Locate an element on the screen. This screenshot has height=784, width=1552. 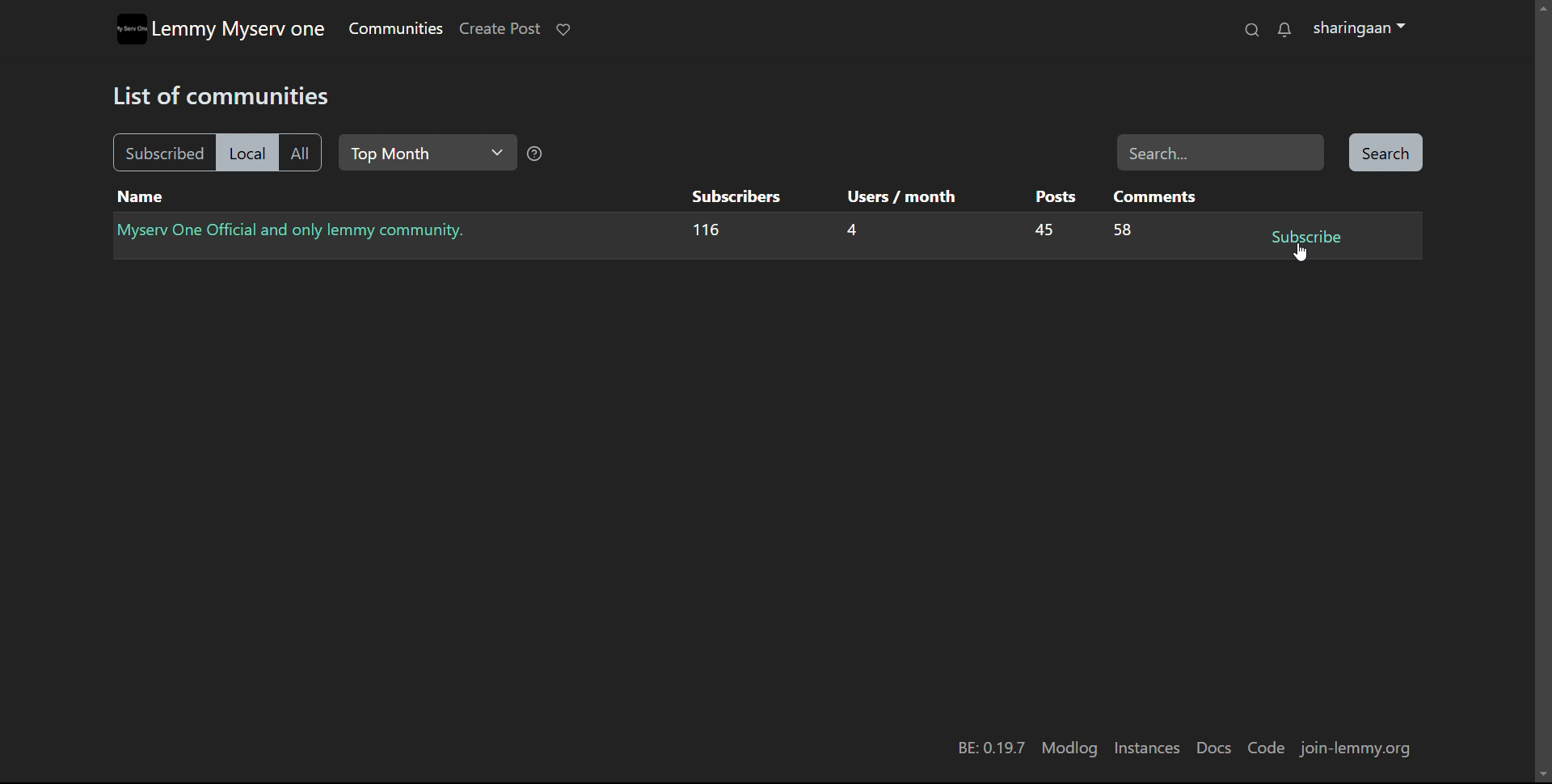
instances is located at coordinates (1147, 748).